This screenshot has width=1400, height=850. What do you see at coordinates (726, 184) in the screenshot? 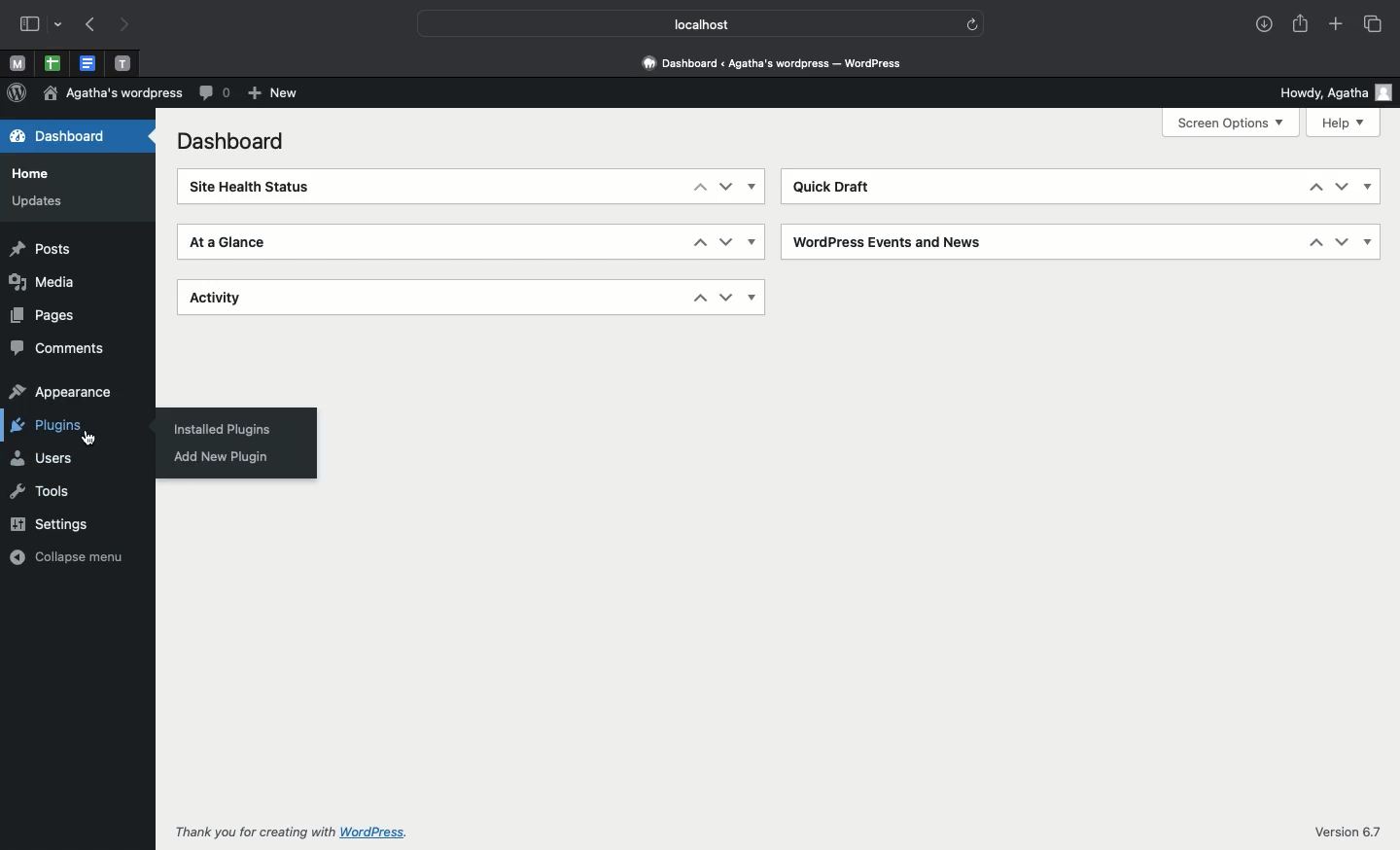
I see `Down` at bounding box center [726, 184].